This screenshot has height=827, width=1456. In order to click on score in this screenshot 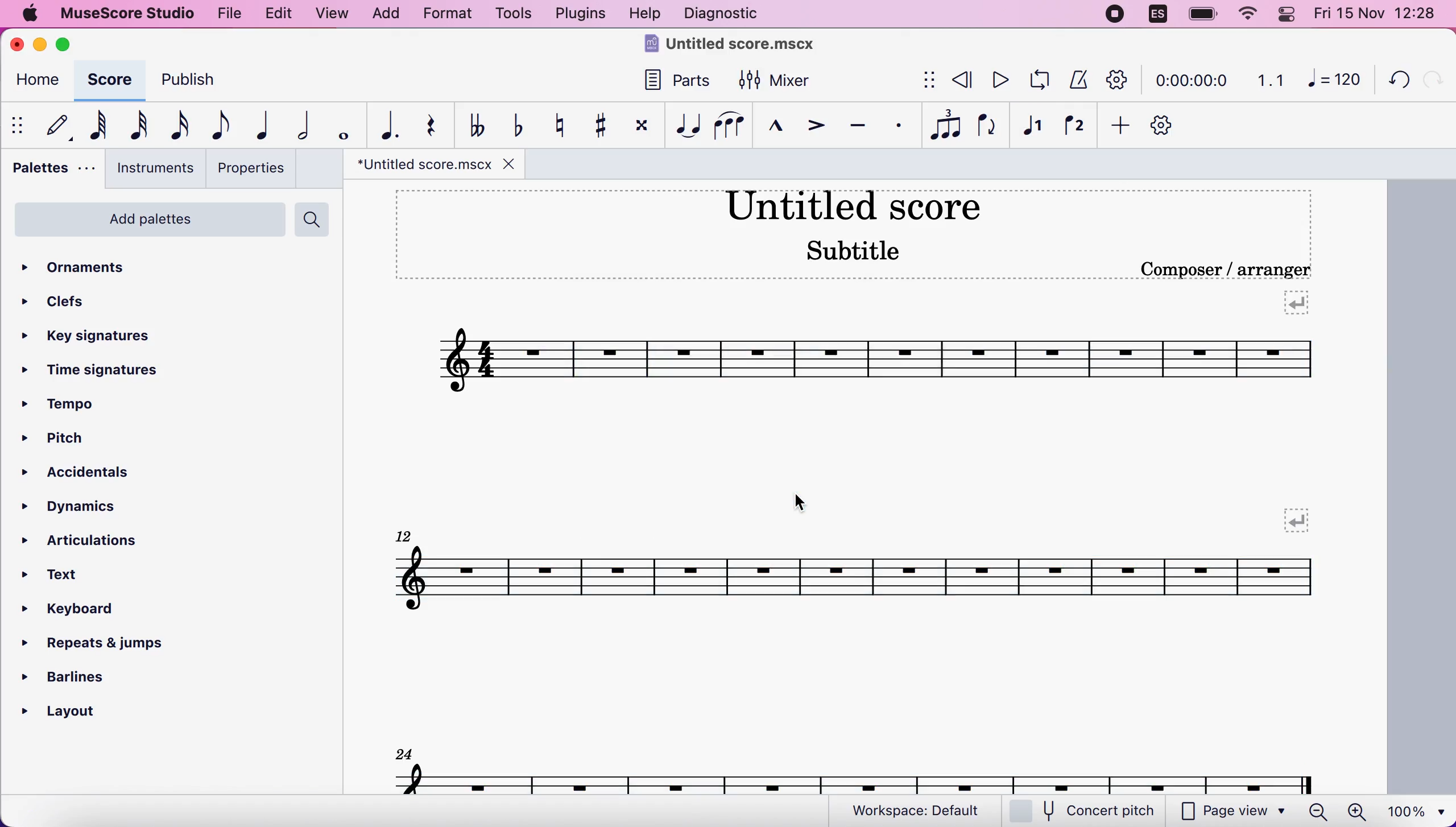, I will do `click(107, 80)`.